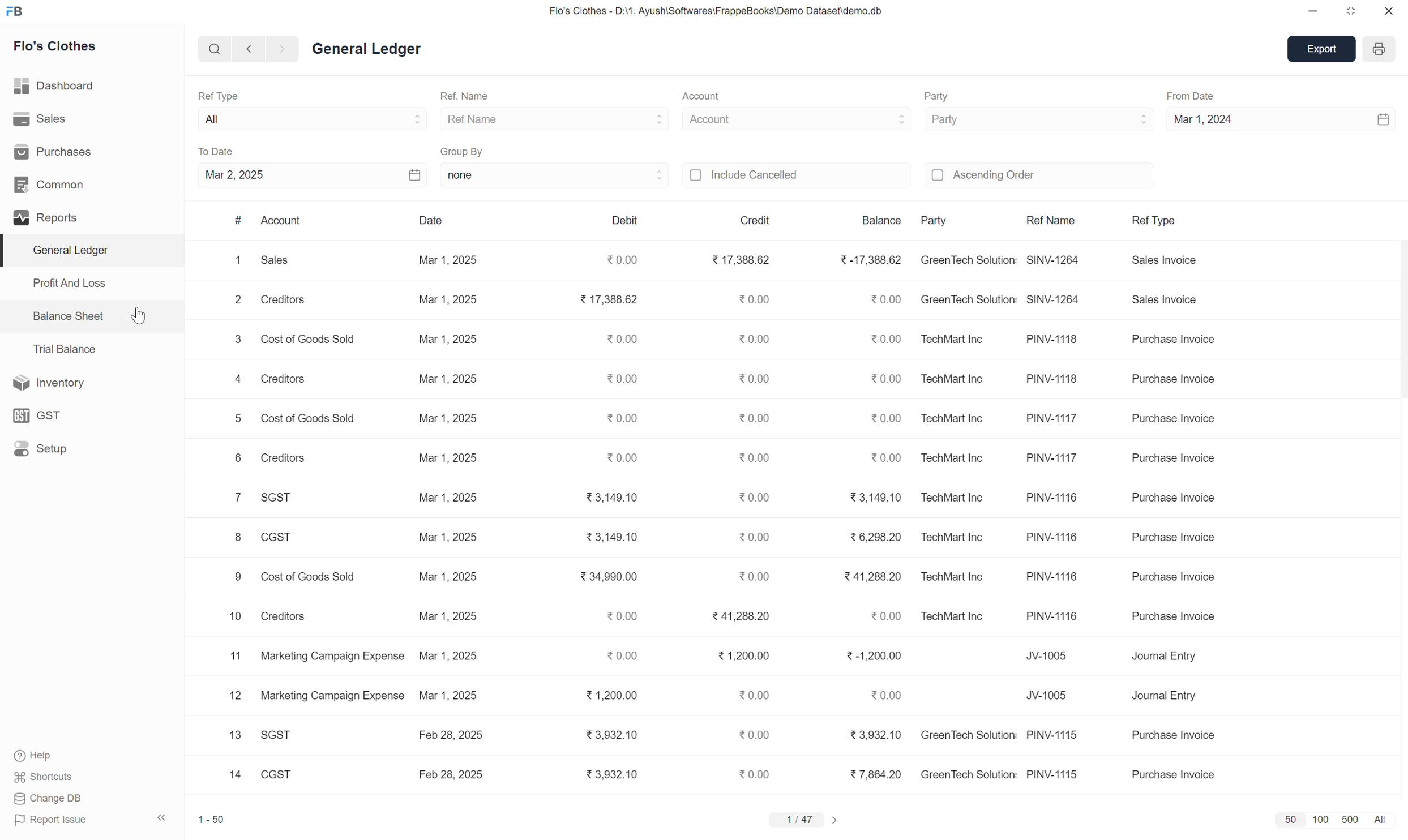 The height and width of the screenshot is (840, 1408). What do you see at coordinates (212, 821) in the screenshot?
I see `1-50` at bounding box center [212, 821].